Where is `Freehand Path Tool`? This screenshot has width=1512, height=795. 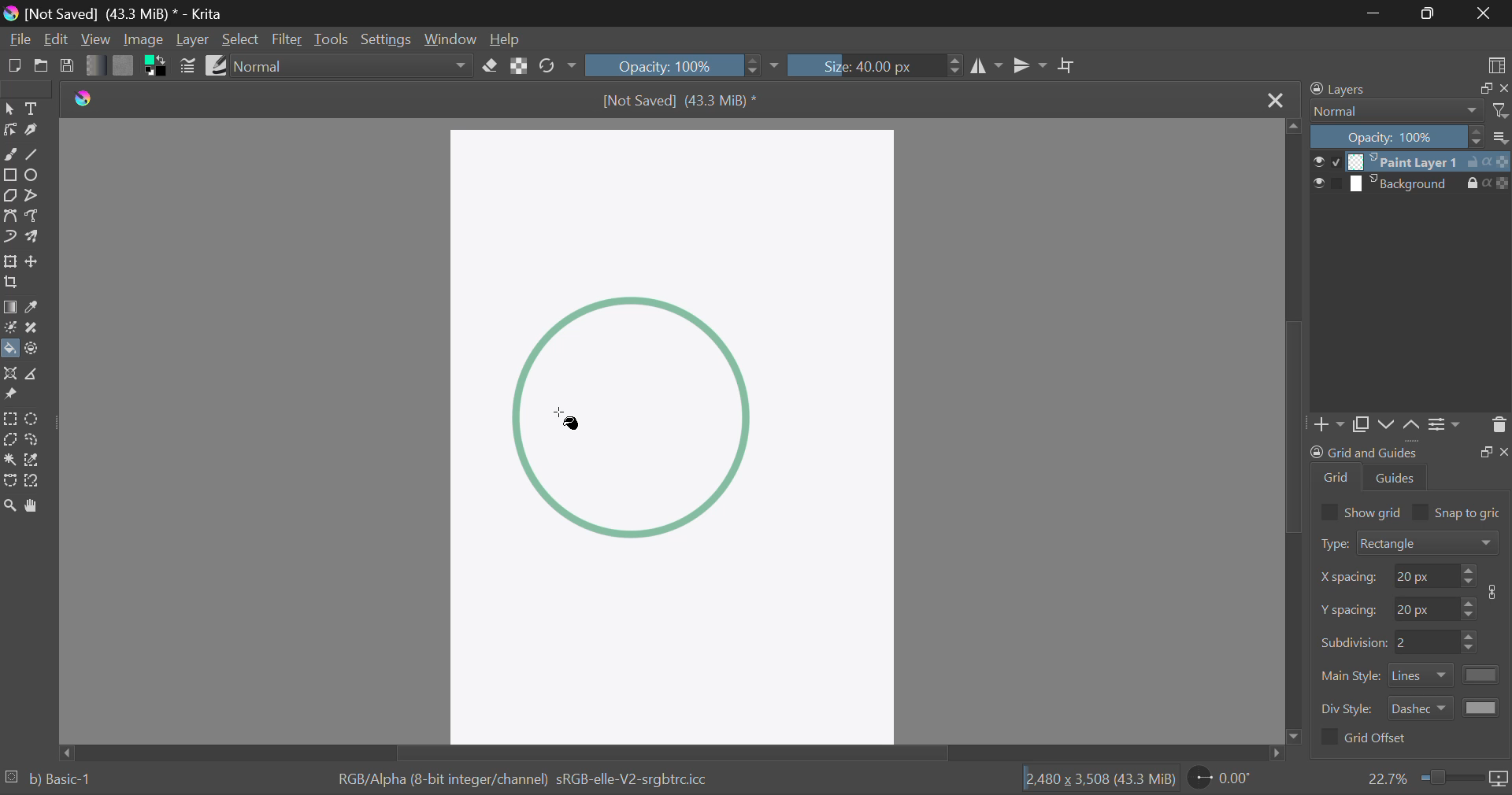 Freehand Path Tool is located at coordinates (33, 215).